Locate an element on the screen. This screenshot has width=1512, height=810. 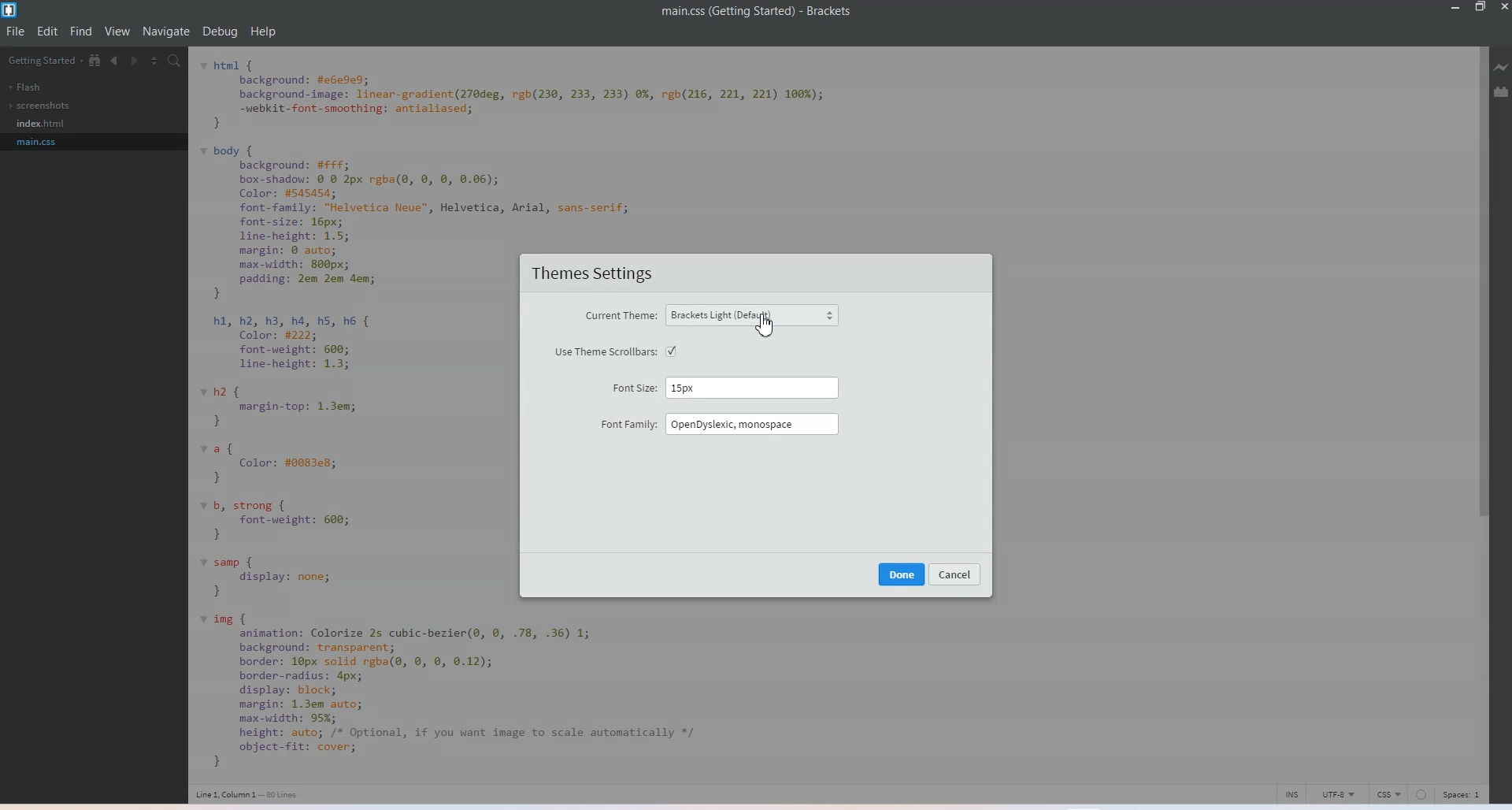
Split editor vertically and Horizontally is located at coordinates (153, 60).